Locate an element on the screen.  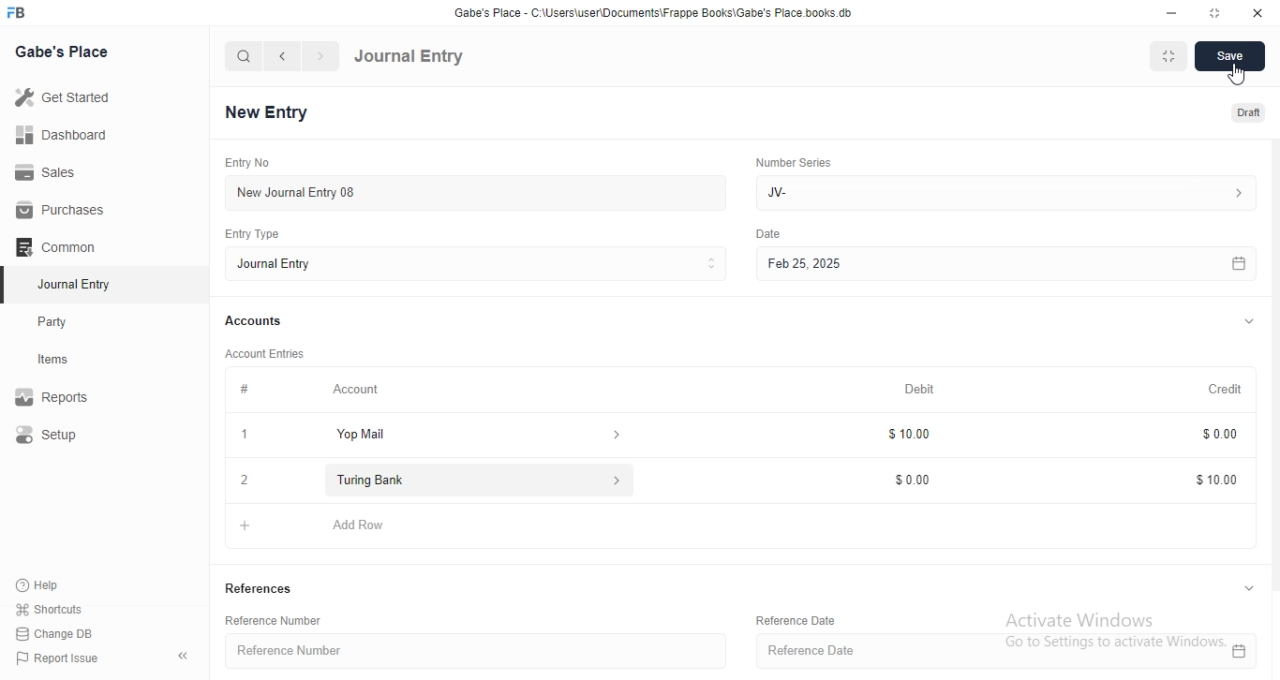
Credit is located at coordinates (1216, 389).